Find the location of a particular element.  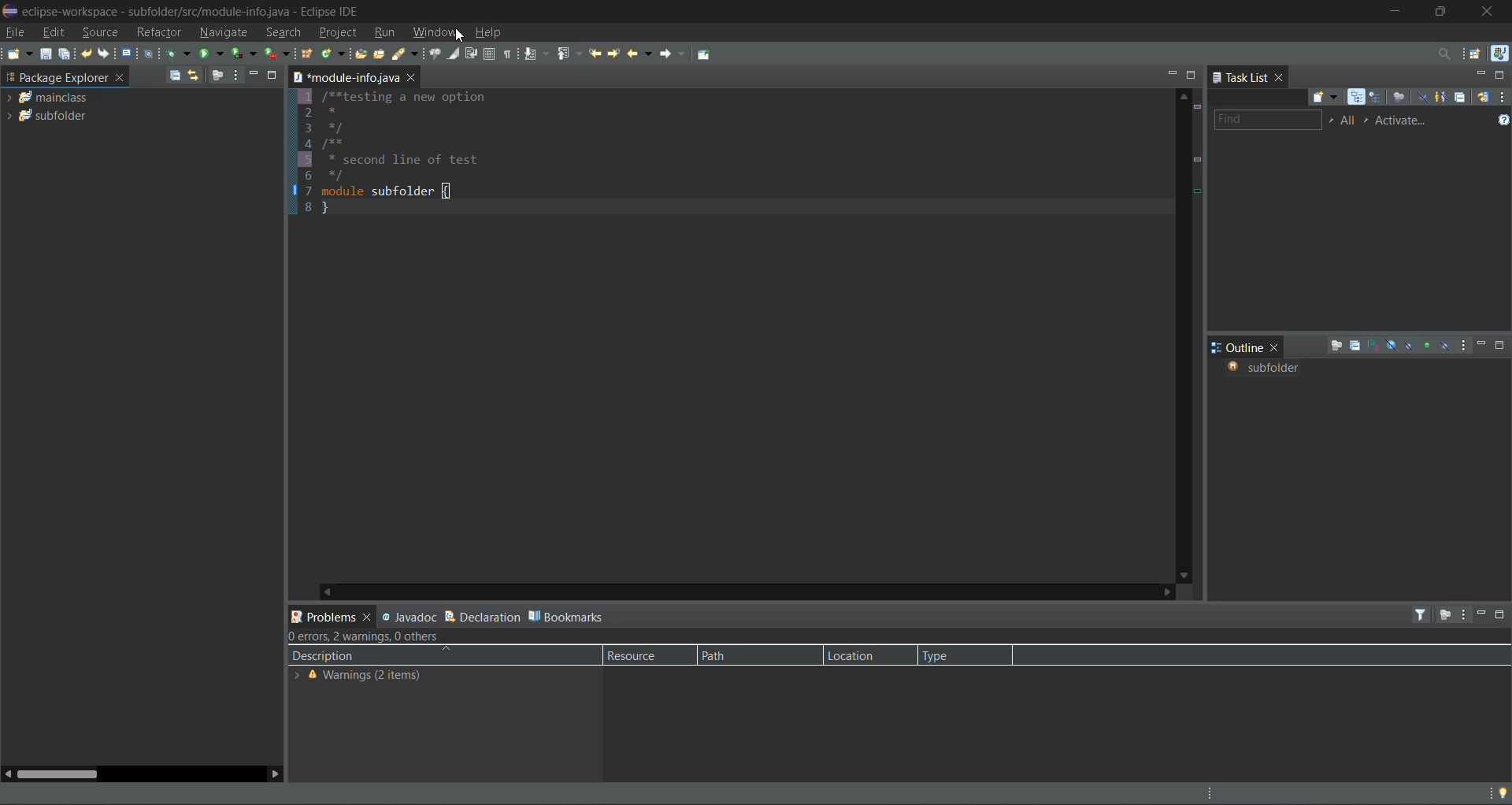

close is located at coordinates (1276, 347).